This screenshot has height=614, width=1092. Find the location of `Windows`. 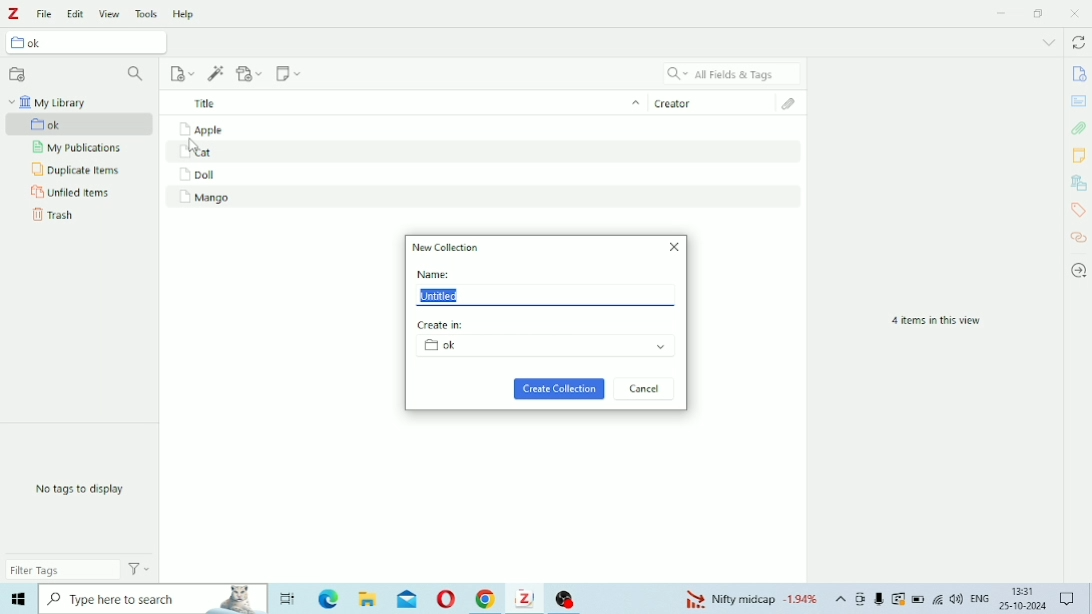

Windows is located at coordinates (18, 599).